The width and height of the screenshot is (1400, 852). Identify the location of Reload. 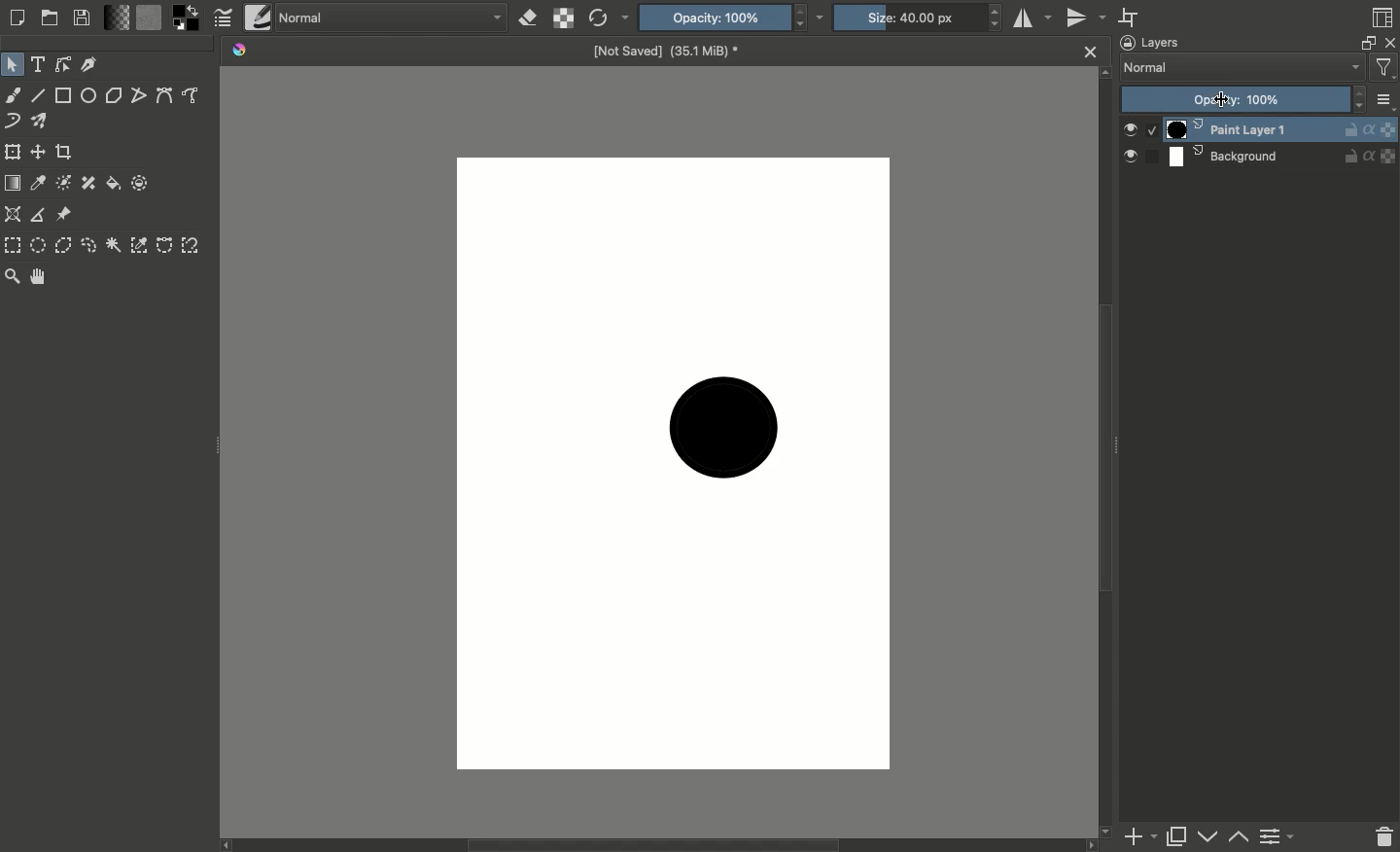
(609, 18).